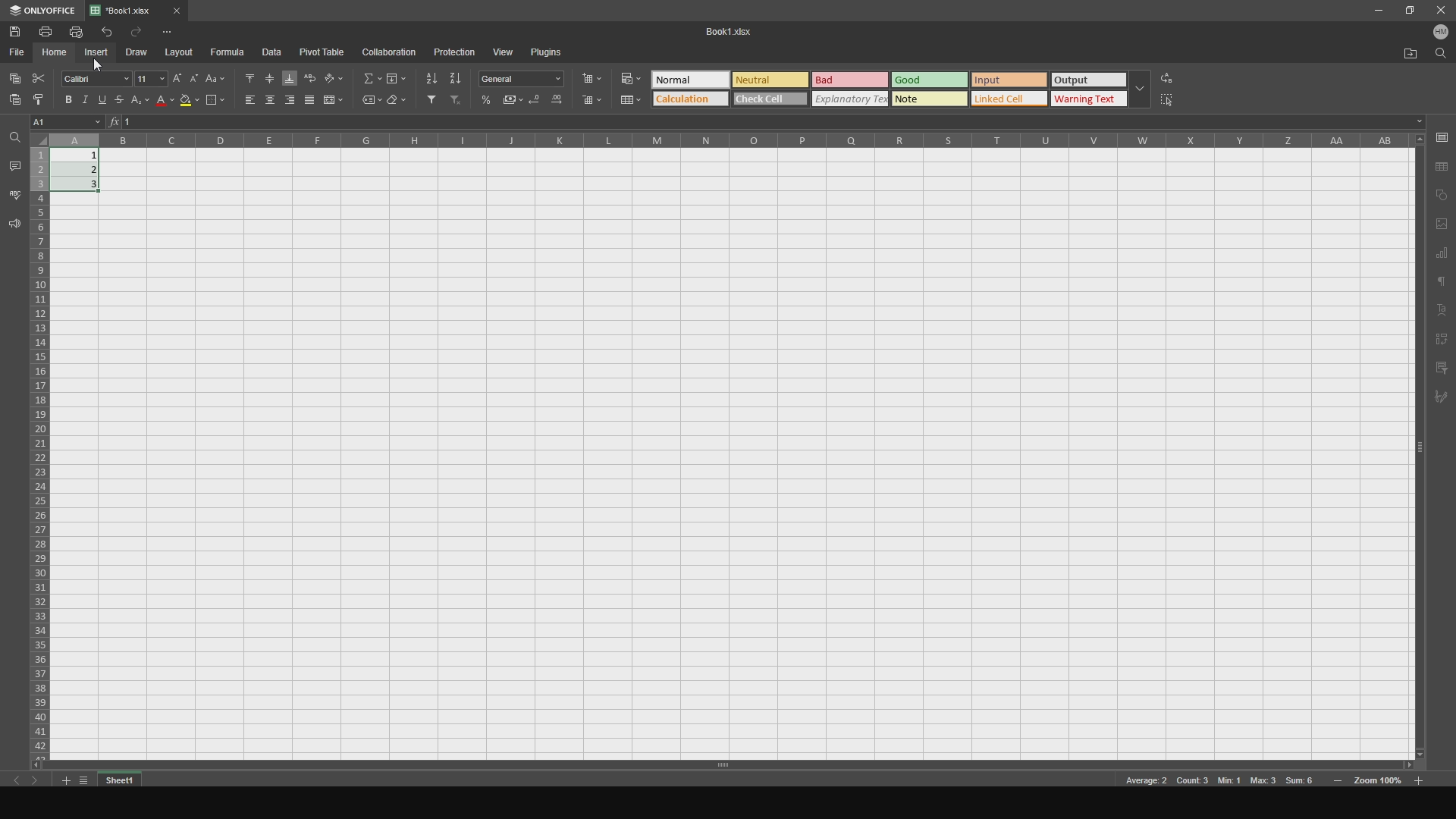  I want to click on copy style, so click(39, 99).